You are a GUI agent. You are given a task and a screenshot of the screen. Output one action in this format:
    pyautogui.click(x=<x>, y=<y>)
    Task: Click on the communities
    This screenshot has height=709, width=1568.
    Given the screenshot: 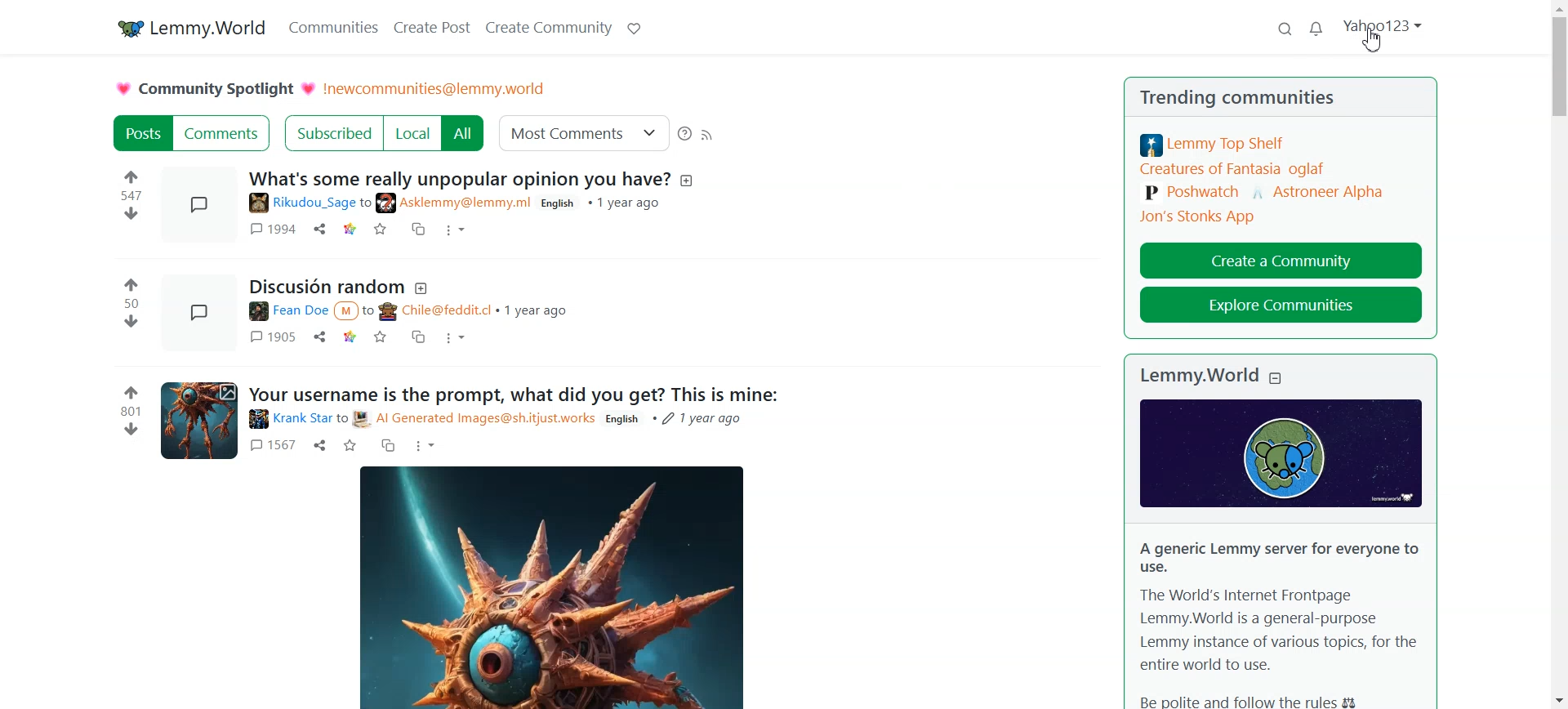 What is the action you would take?
    pyautogui.click(x=1282, y=100)
    